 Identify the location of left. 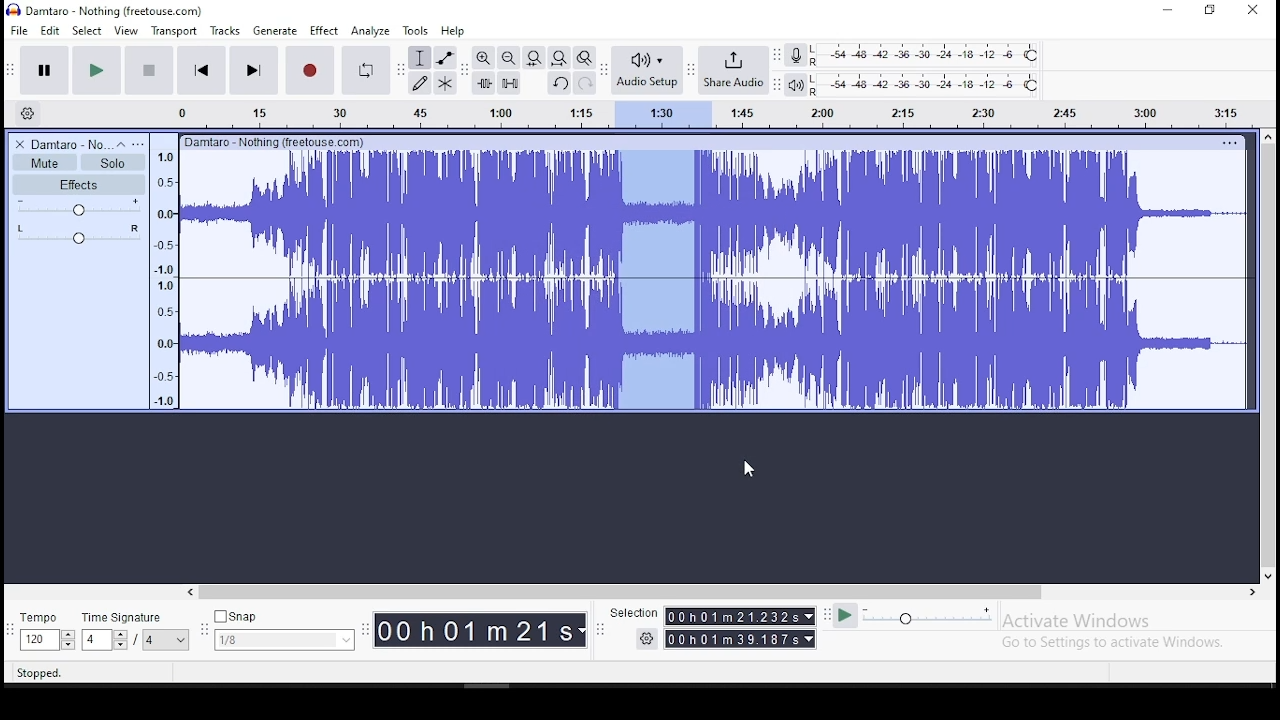
(189, 592).